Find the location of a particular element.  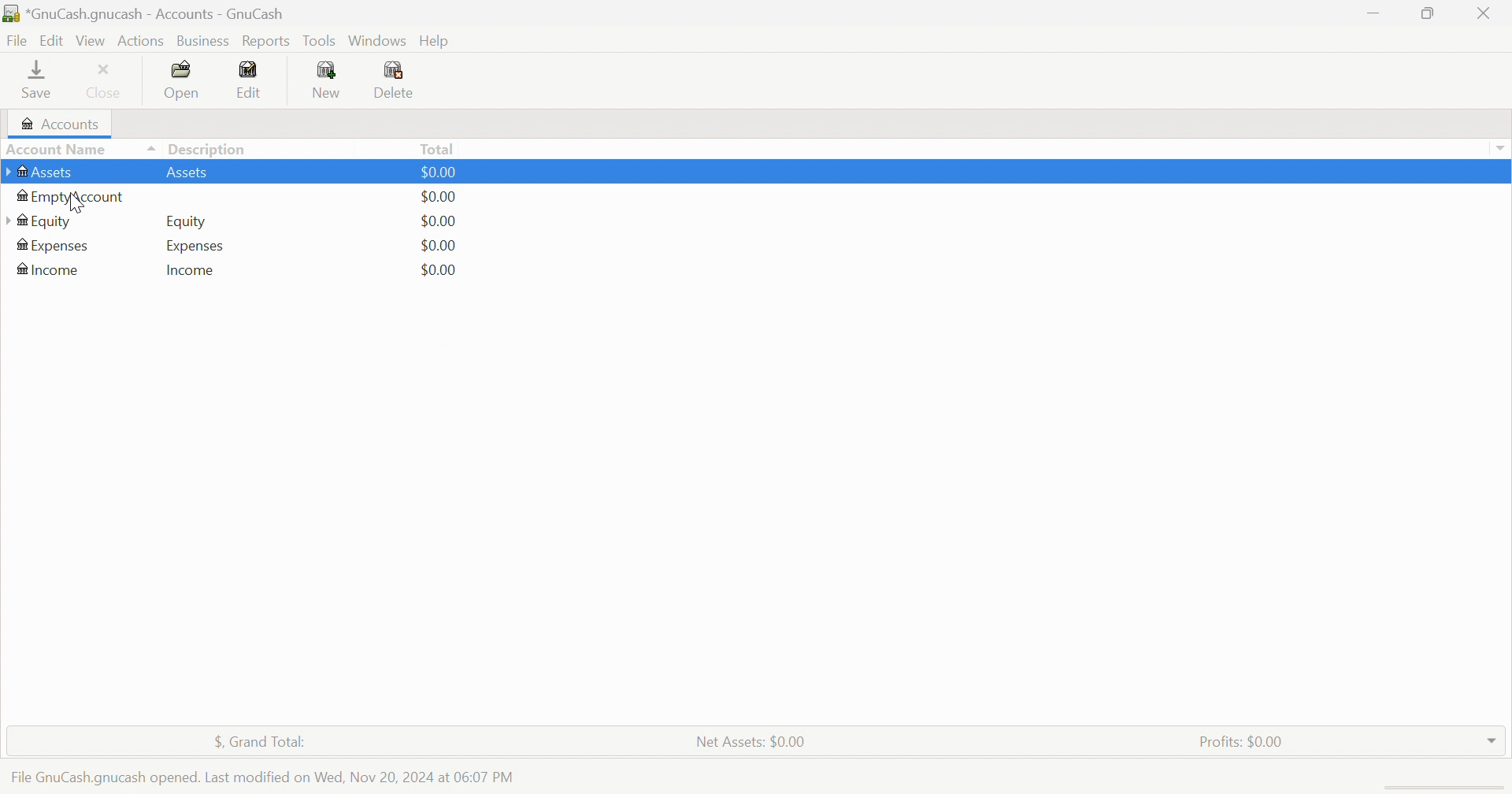

Edit is located at coordinates (54, 41).